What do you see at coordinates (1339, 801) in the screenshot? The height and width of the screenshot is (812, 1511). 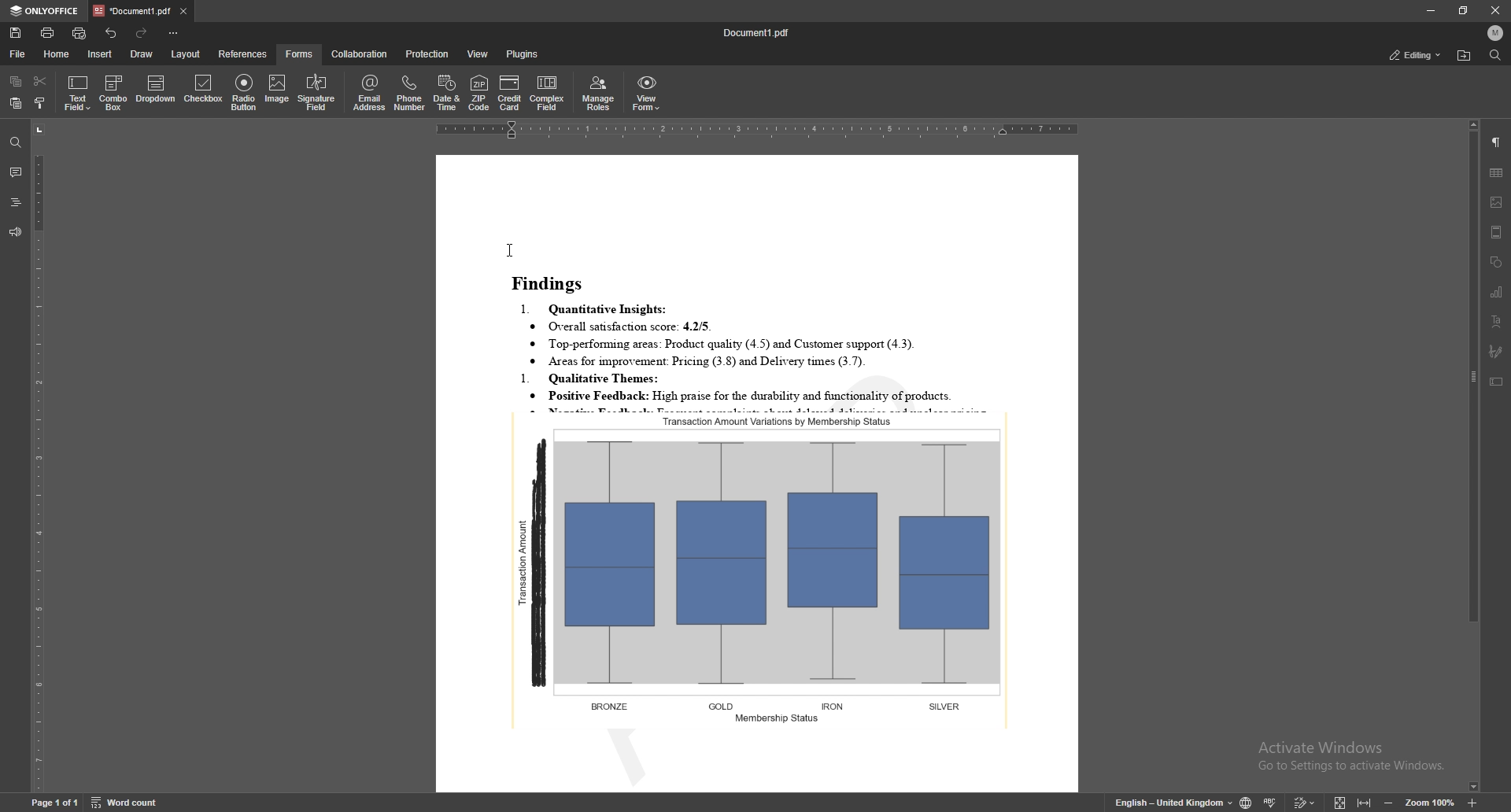 I see `fit to screen` at bounding box center [1339, 801].